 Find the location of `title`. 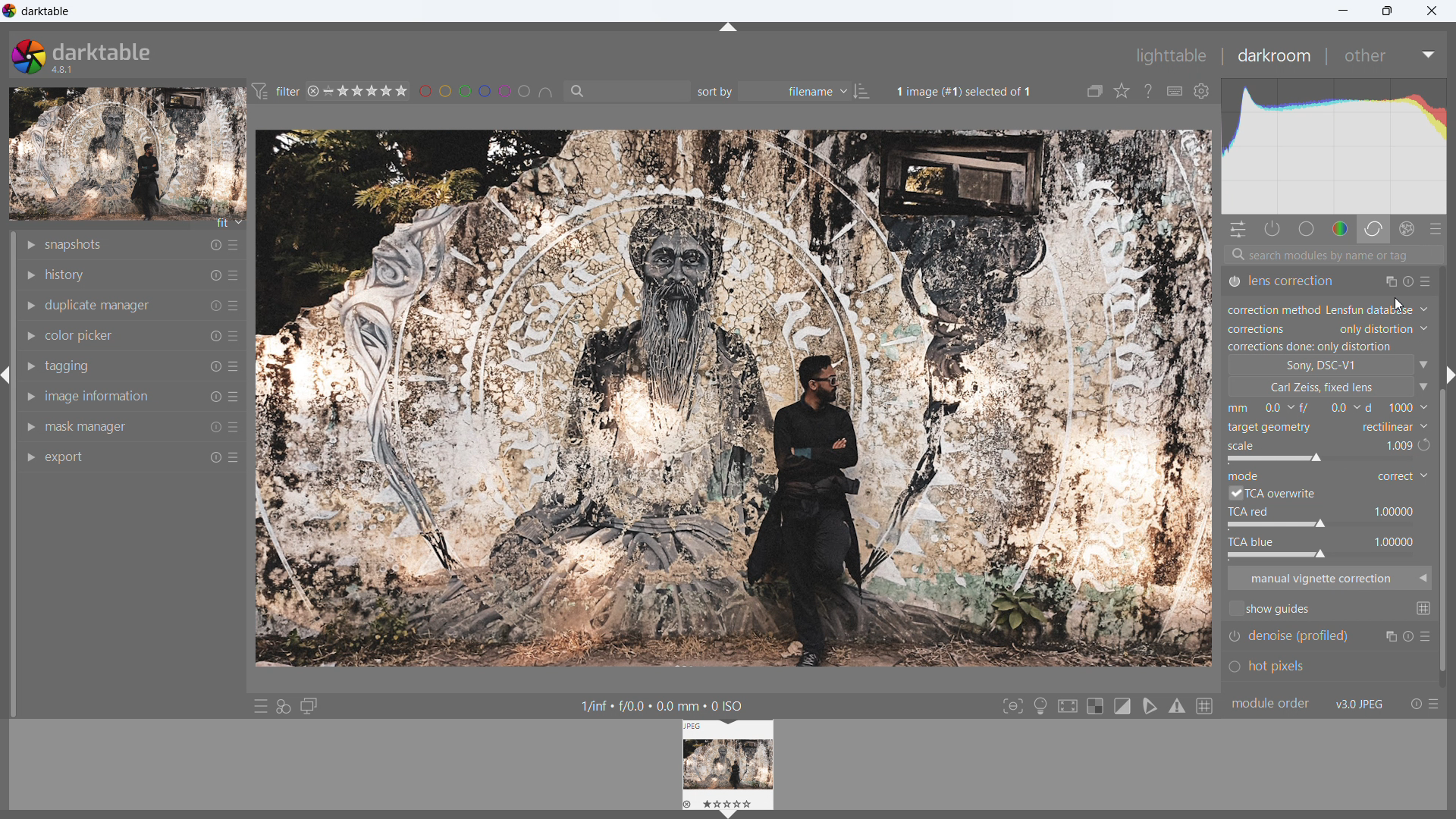

title is located at coordinates (45, 11).